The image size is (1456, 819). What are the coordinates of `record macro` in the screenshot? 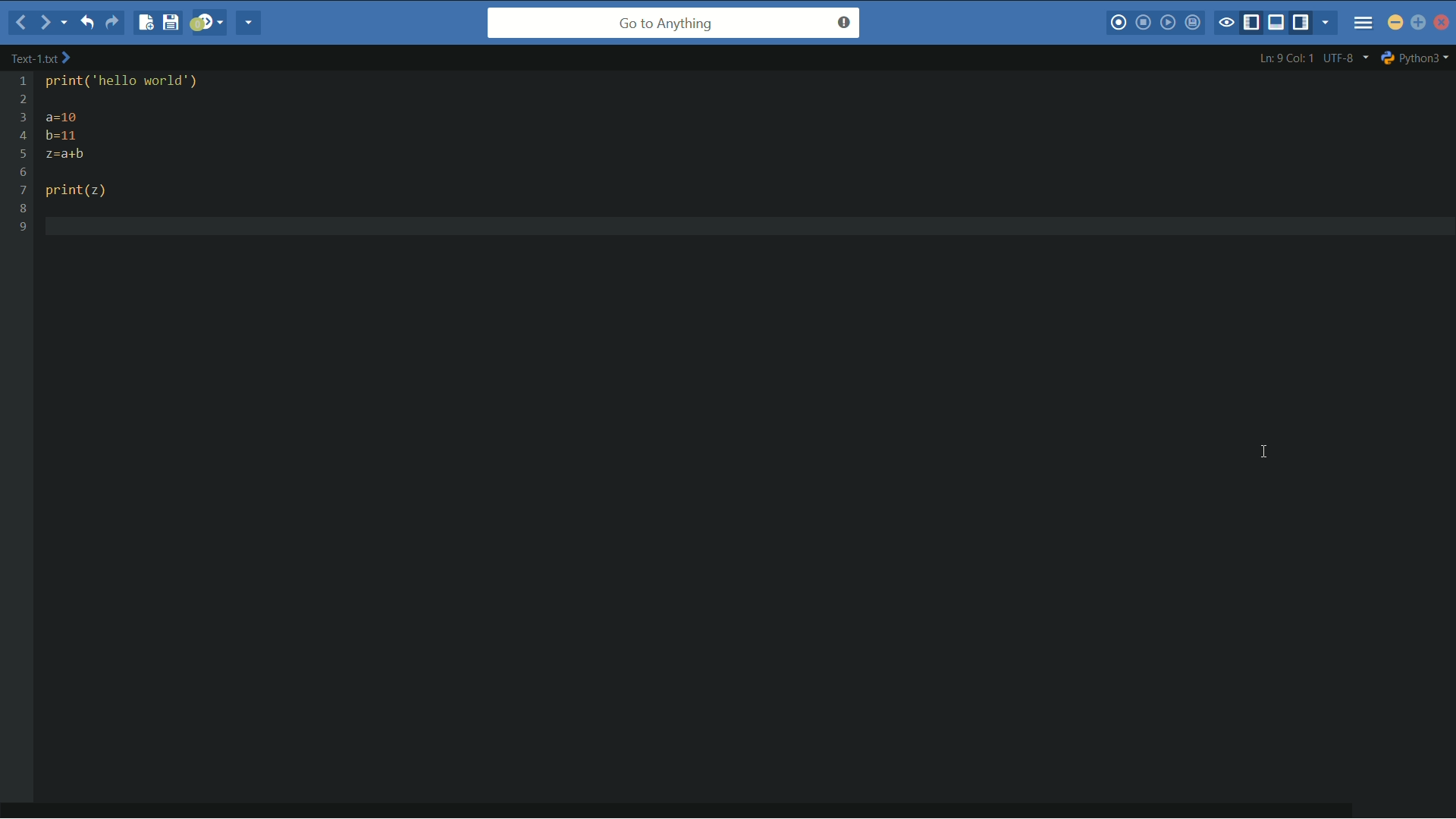 It's located at (1120, 22).